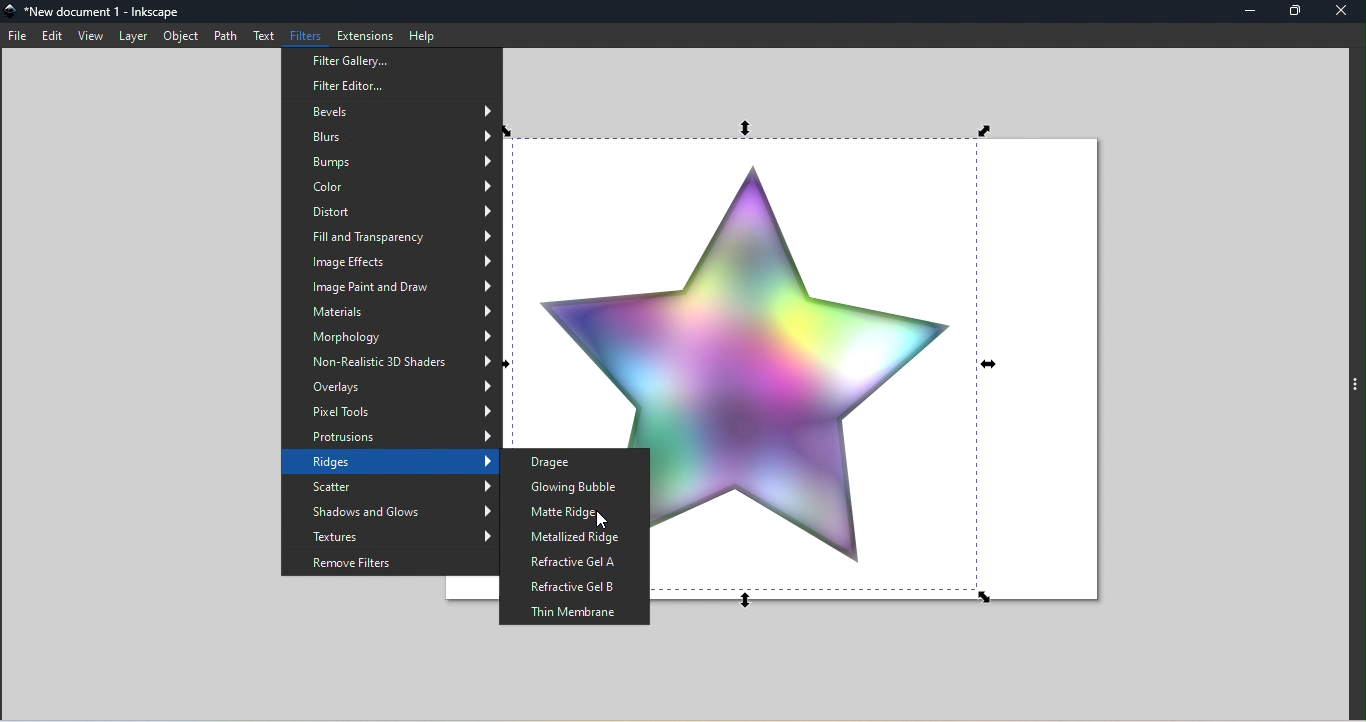  What do you see at coordinates (228, 37) in the screenshot?
I see `Path` at bounding box center [228, 37].